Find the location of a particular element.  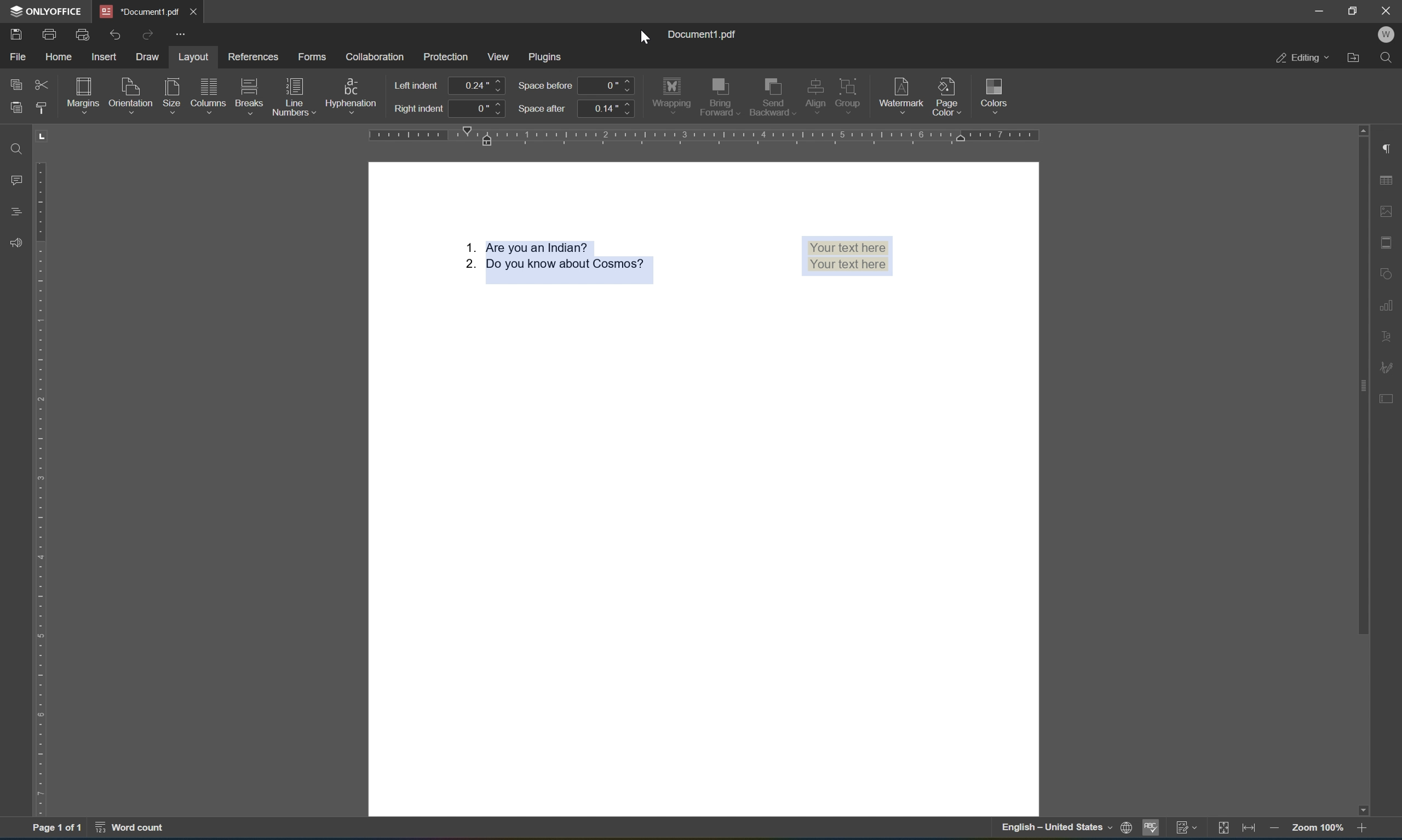

zoom in is located at coordinates (1364, 830).